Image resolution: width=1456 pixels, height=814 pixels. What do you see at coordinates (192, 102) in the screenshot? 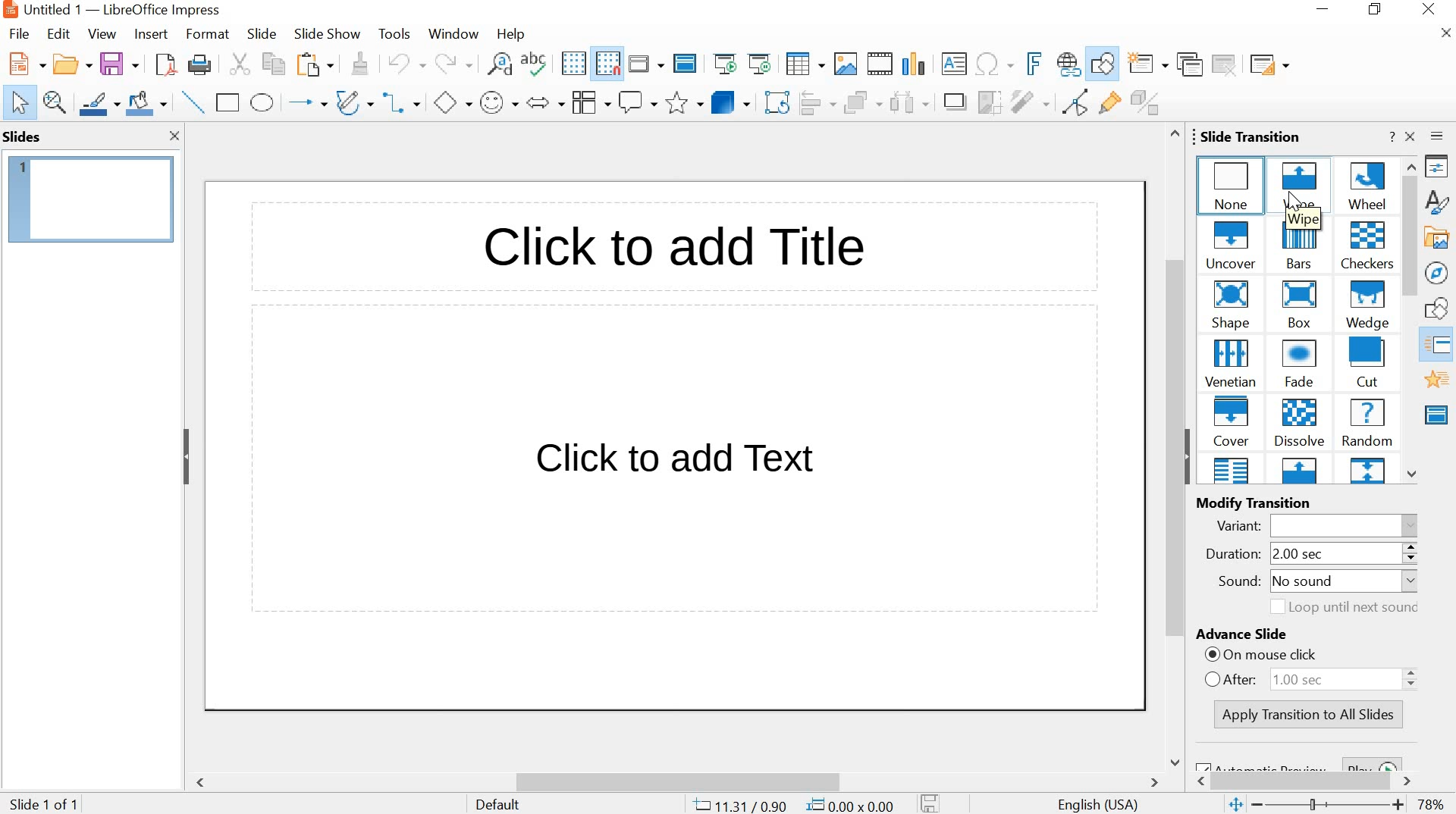
I see `Insert Line` at bounding box center [192, 102].